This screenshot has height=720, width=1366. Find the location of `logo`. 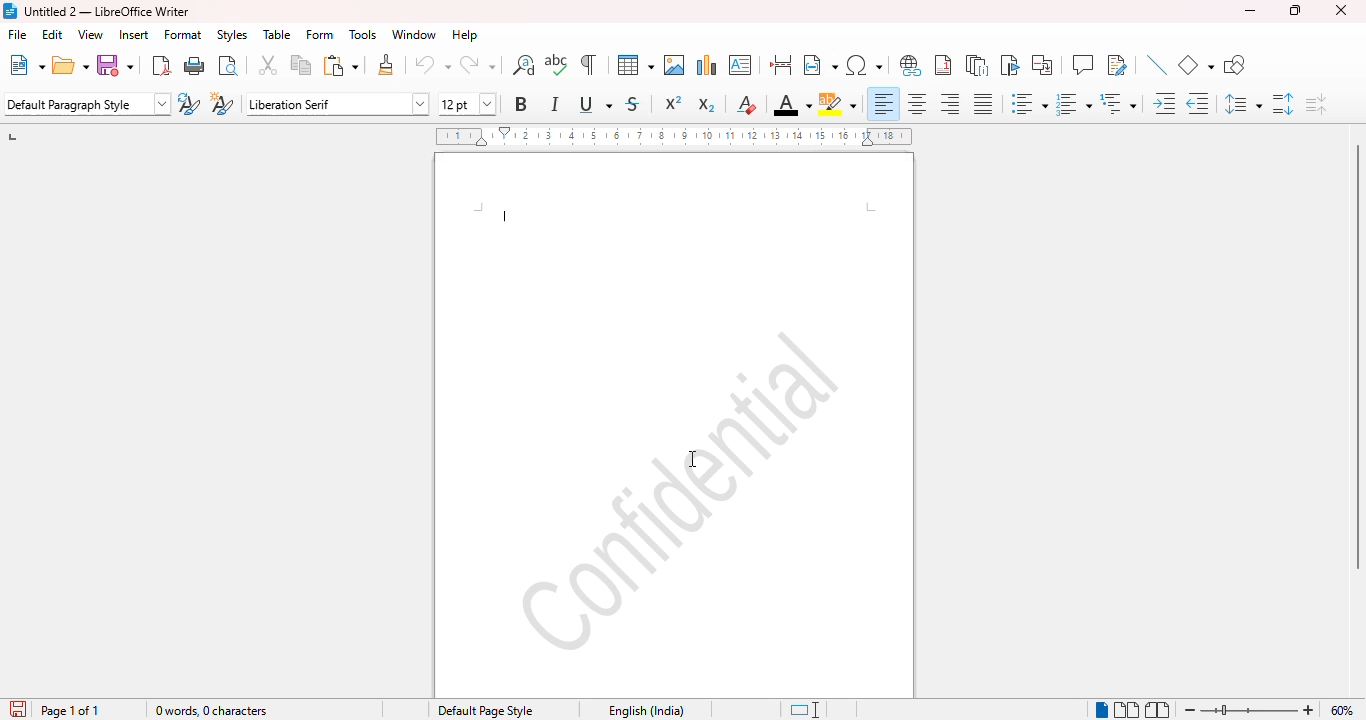

logo is located at coordinates (9, 10).